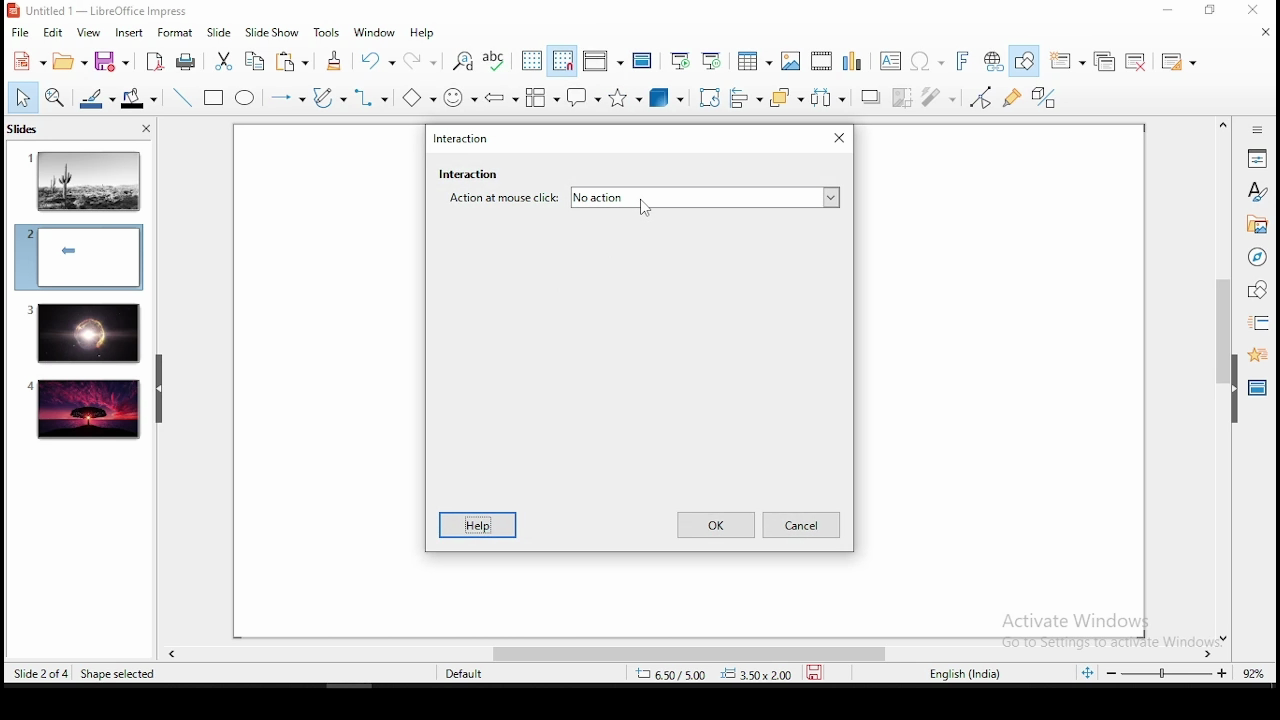 The height and width of the screenshot is (720, 1280). Describe the element at coordinates (114, 673) in the screenshot. I see `resize shape` at that location.